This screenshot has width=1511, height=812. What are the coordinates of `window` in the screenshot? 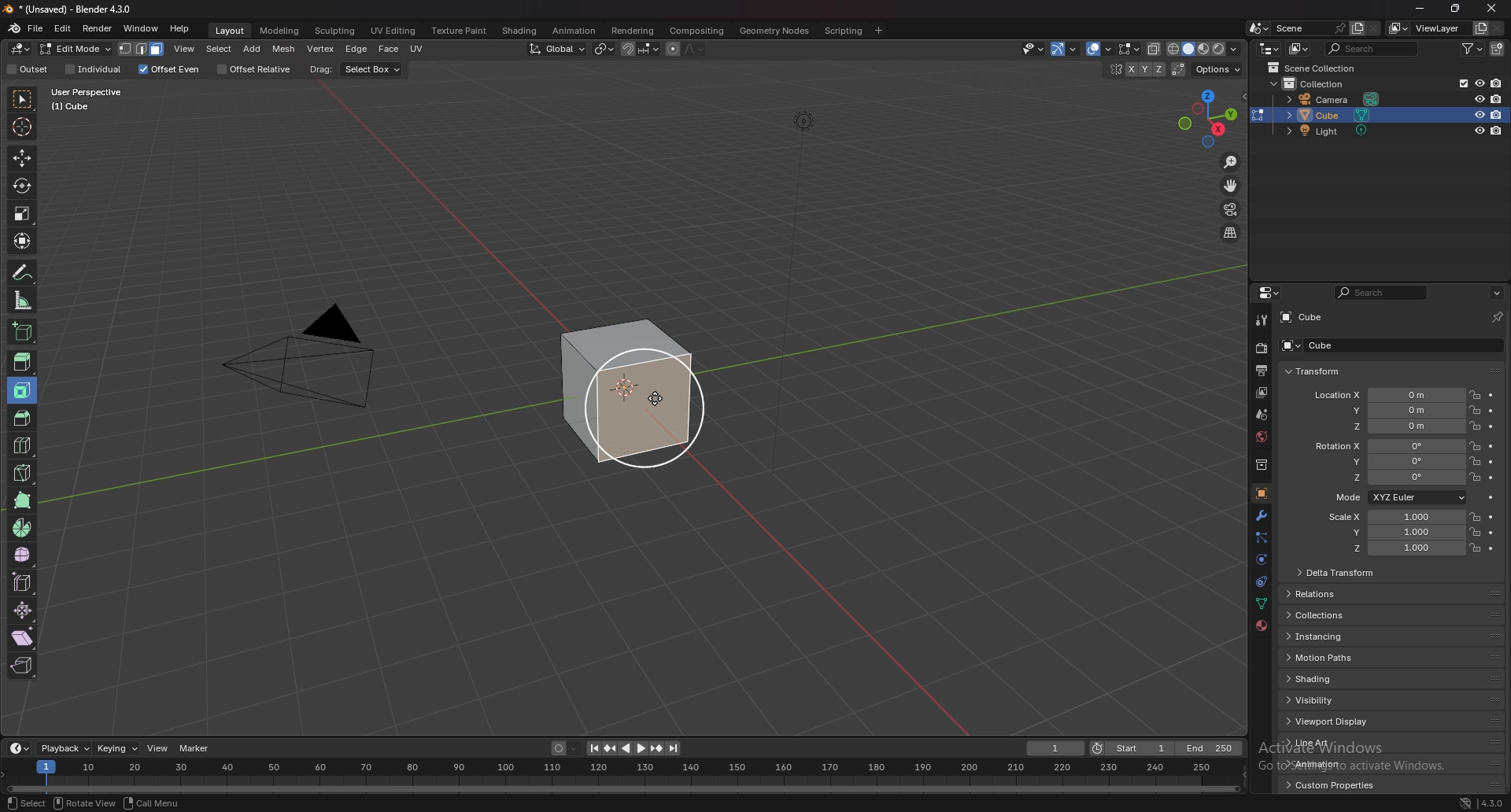 It's located at (142, 28).